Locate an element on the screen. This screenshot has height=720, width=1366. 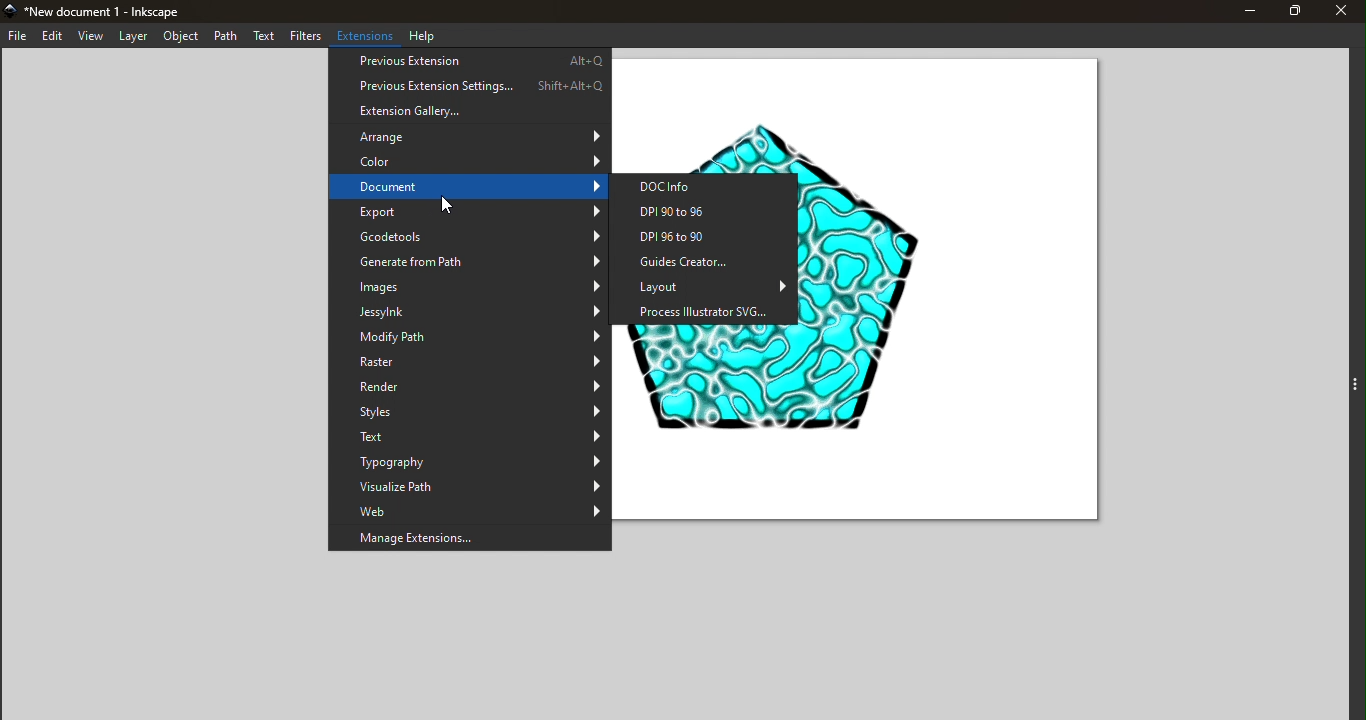
Object is located at coordinates (183, 37).